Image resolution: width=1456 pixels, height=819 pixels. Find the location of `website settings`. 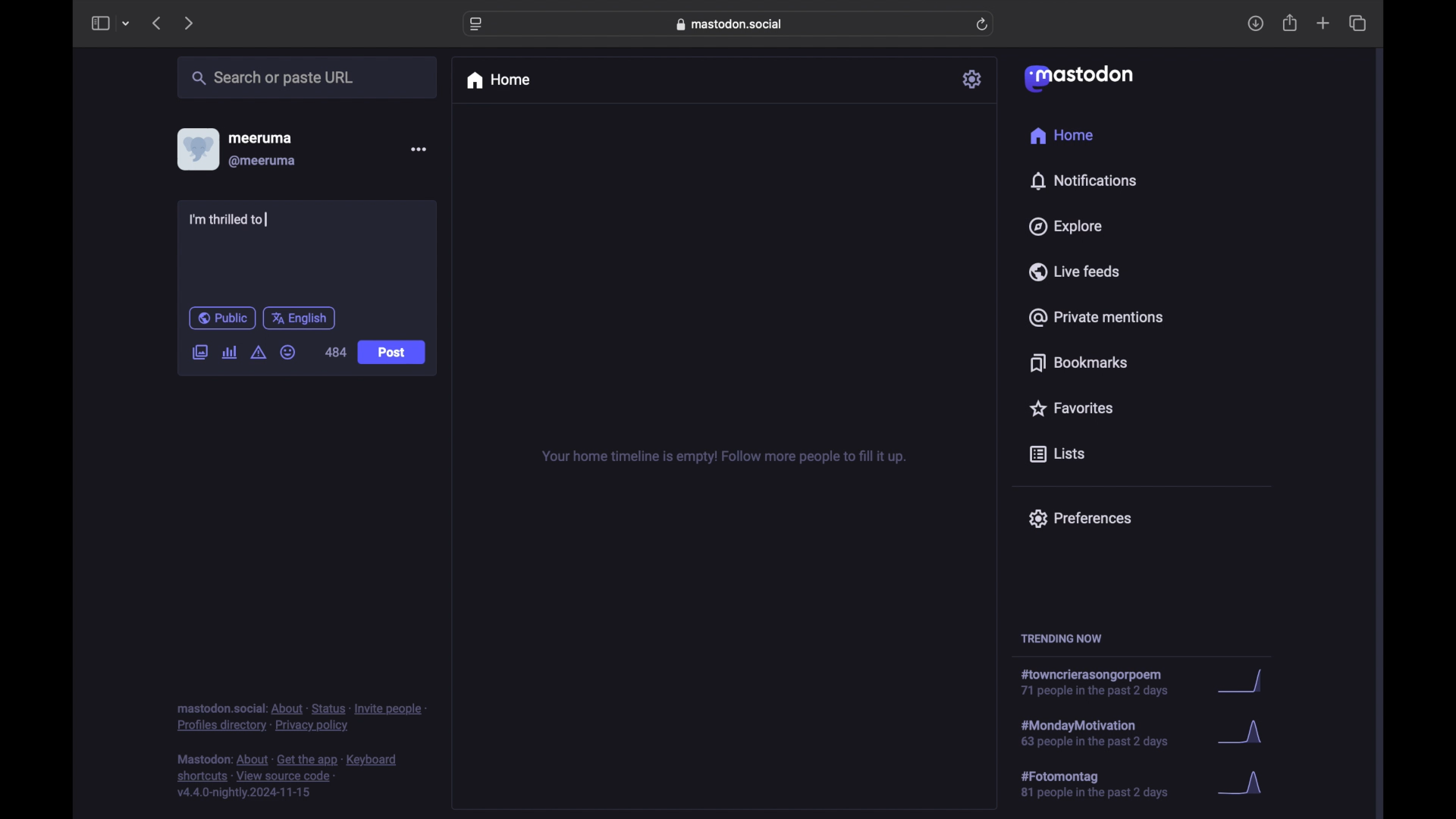

website settings is located at coordinates (476, 25).